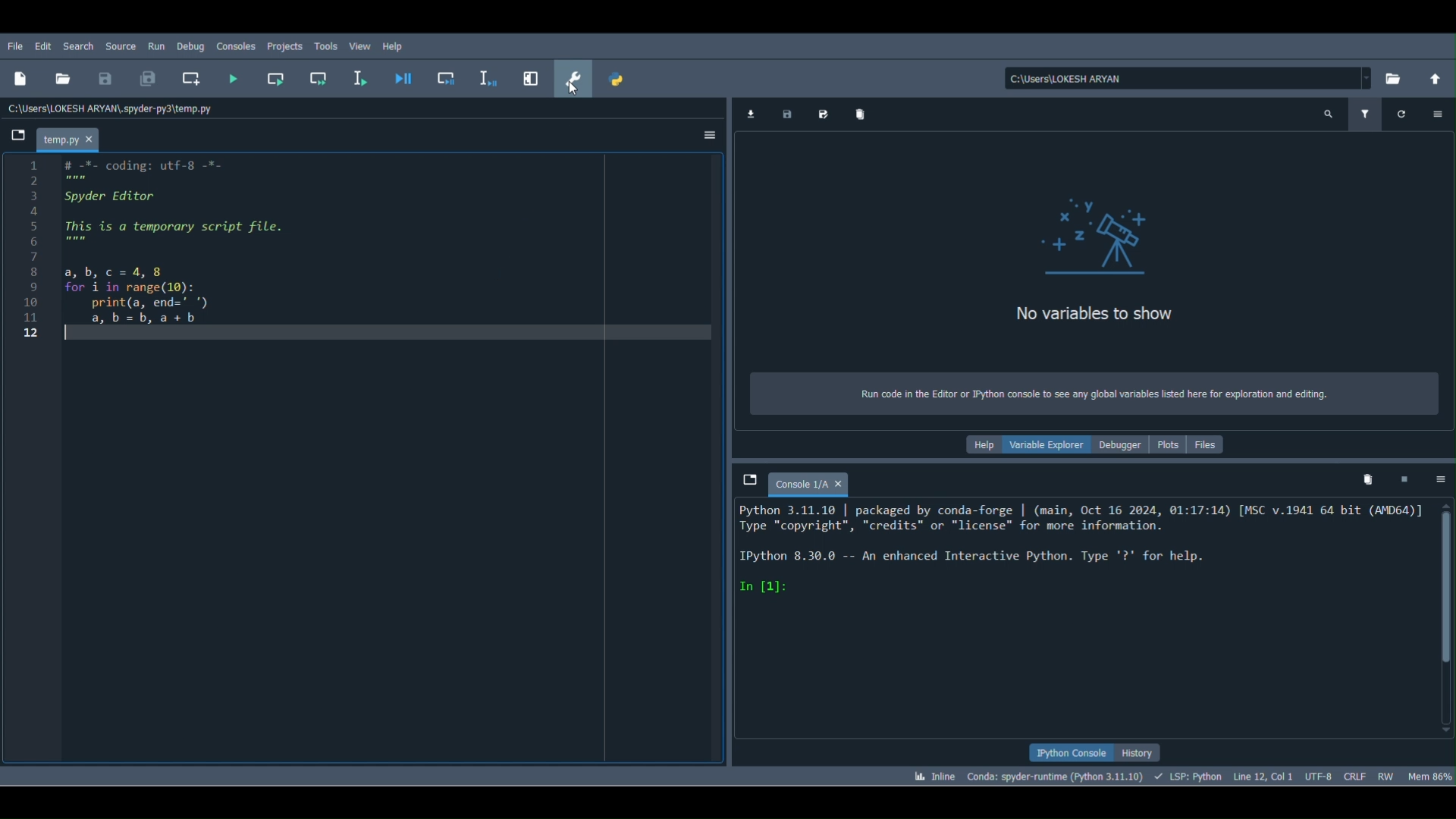  What do you see at coordinates (623, 83) in the screenshot?
I see `PYTHONPATH manager` at bounding box center [623, 83].